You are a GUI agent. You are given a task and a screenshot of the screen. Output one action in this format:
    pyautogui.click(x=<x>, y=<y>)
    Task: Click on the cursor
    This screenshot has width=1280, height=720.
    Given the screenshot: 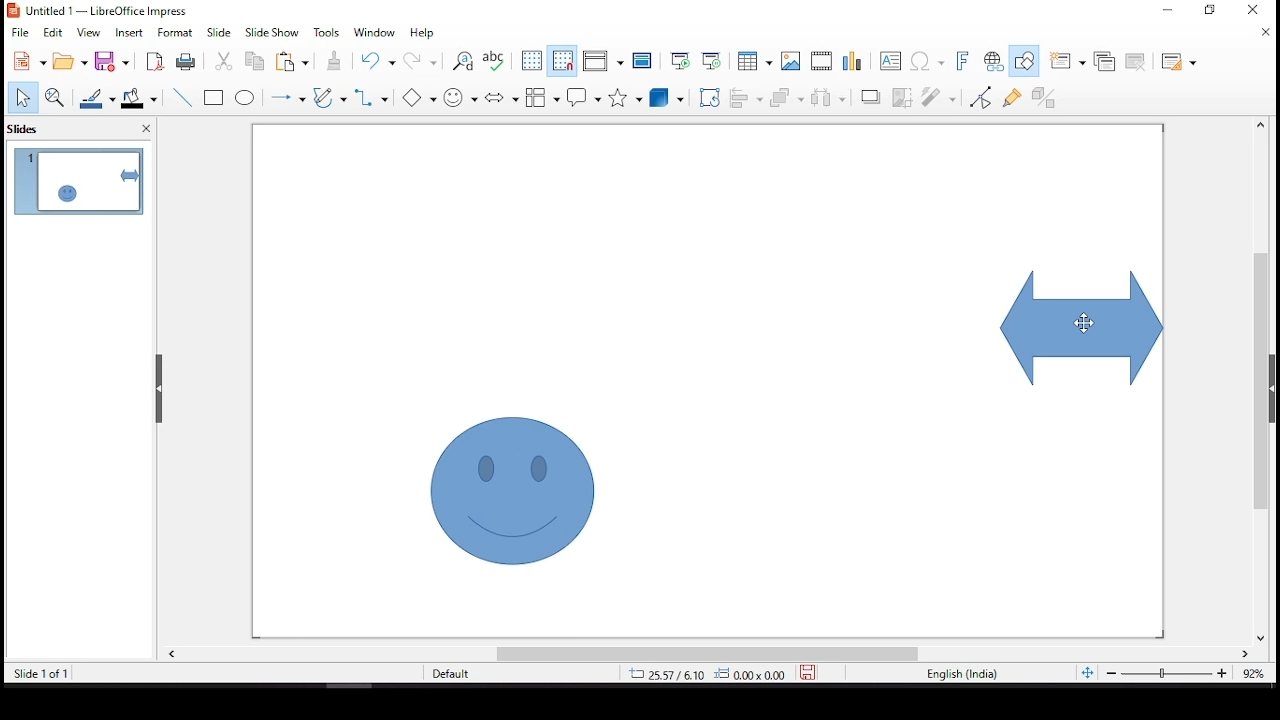 What is the action you would take?
    pyautogui.click(x=1083, y=323)
    